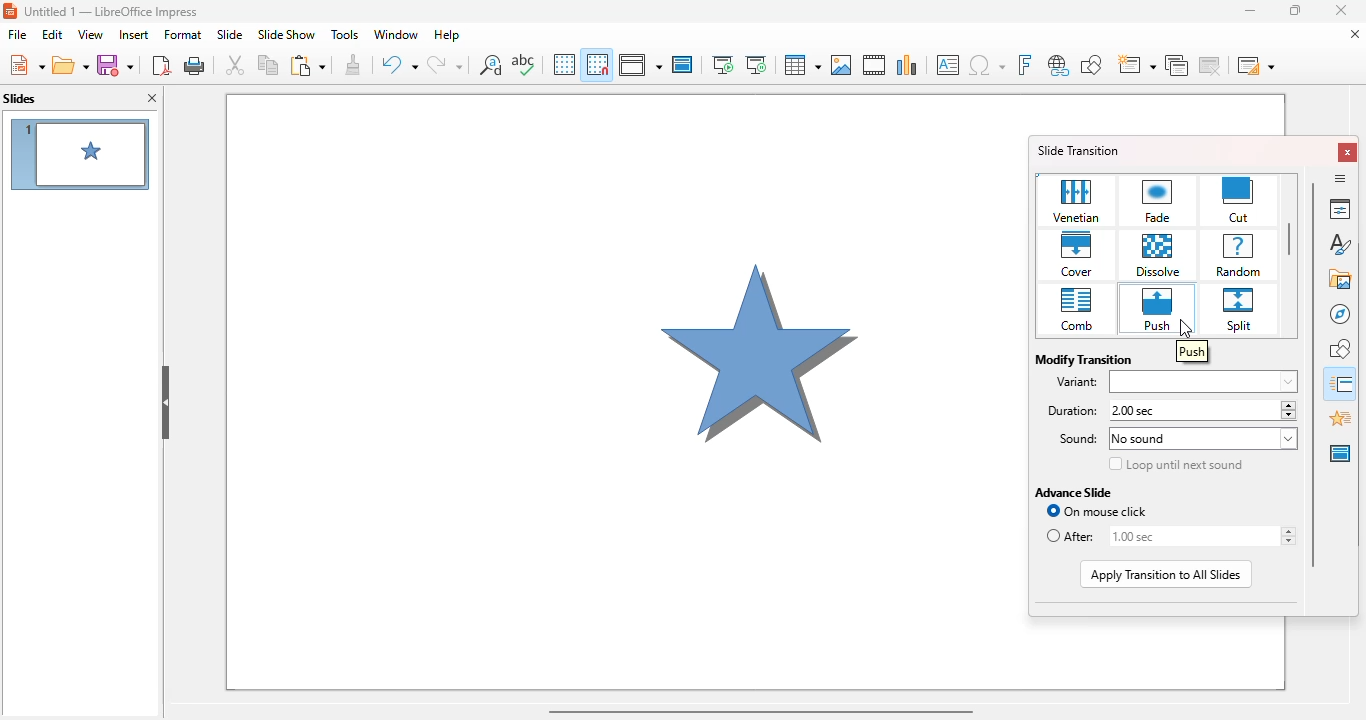 This screenshot has width=1366, height=720. Describe the element at coordinates (1240, 201) in the screenshot. I see `cut` at that location.